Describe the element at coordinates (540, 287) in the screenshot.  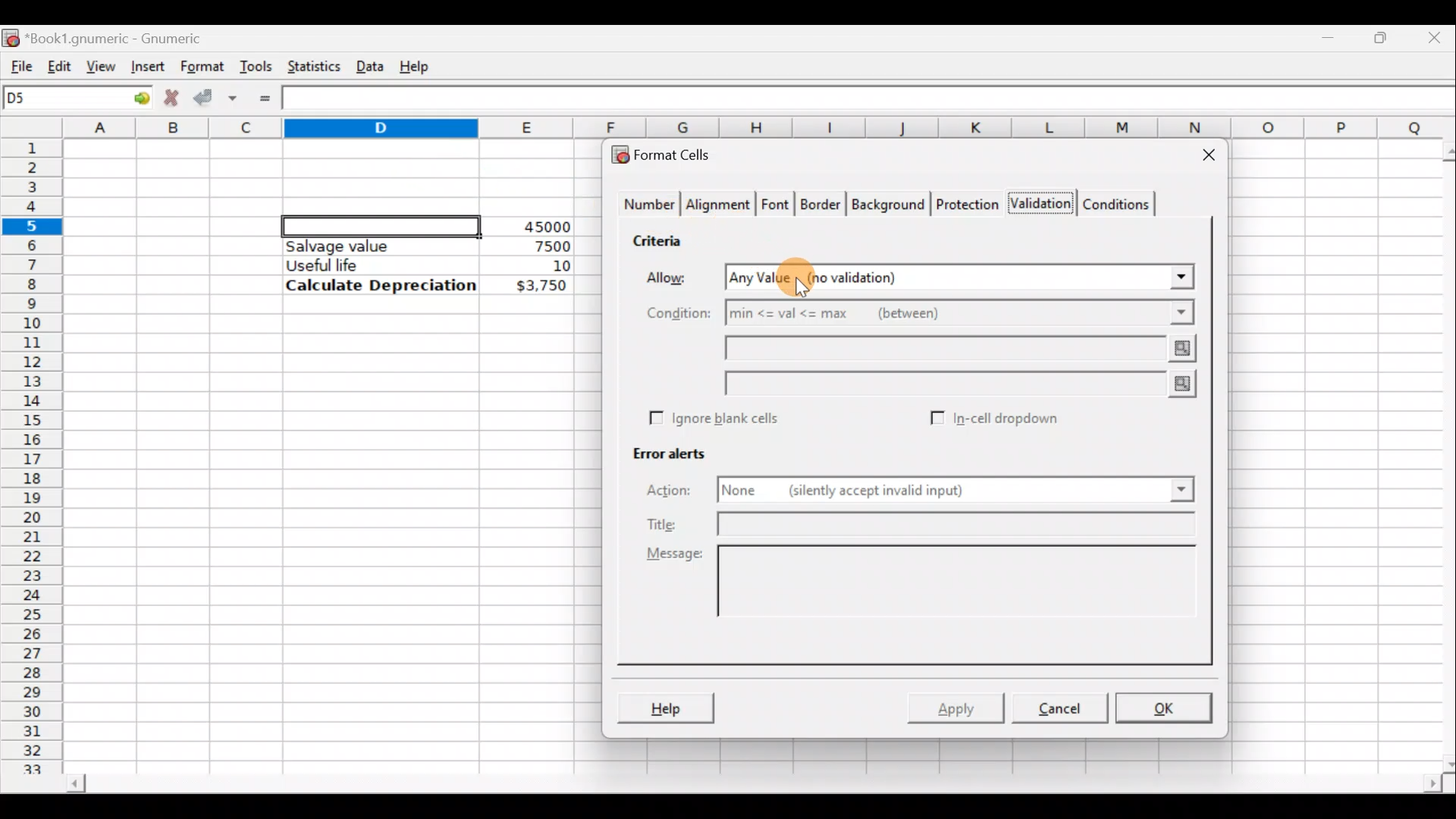
I see `$3,750` at that location.